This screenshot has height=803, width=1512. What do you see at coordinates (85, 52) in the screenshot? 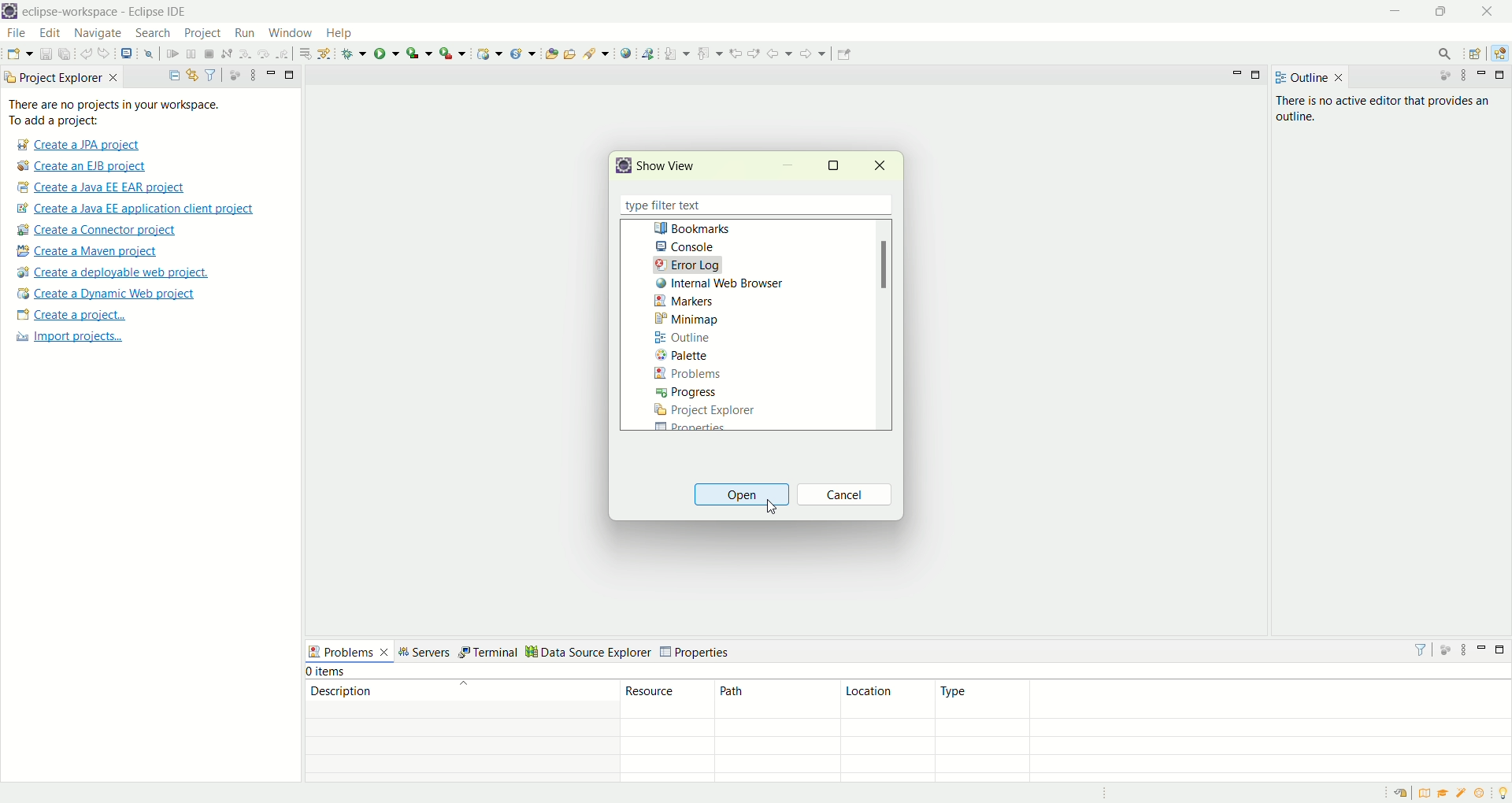
I see `undo` at bounding box center [85, 52].